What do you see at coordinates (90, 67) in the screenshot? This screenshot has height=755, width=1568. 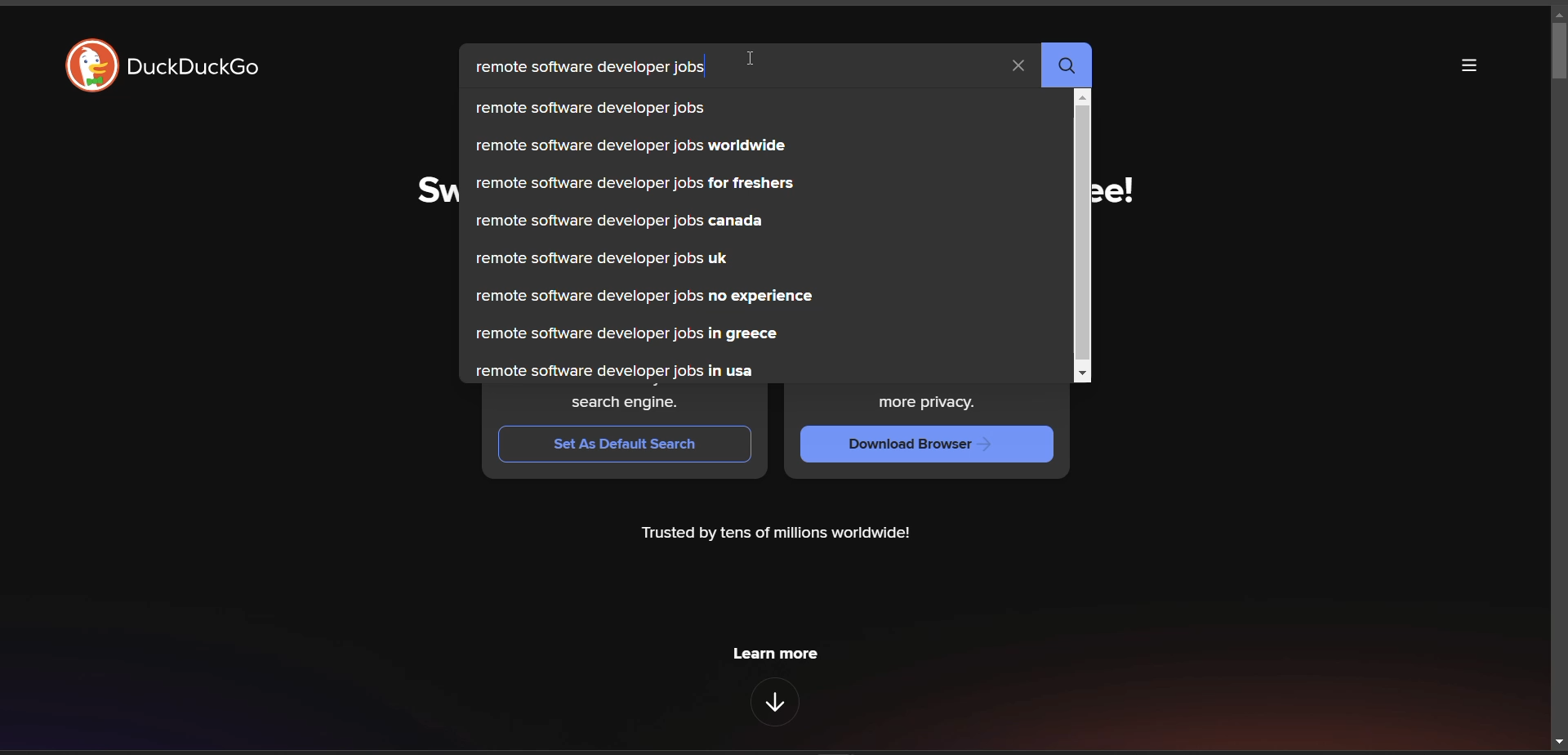 I see `DuckDuckGo Logo` at bounding box center [90, 67].